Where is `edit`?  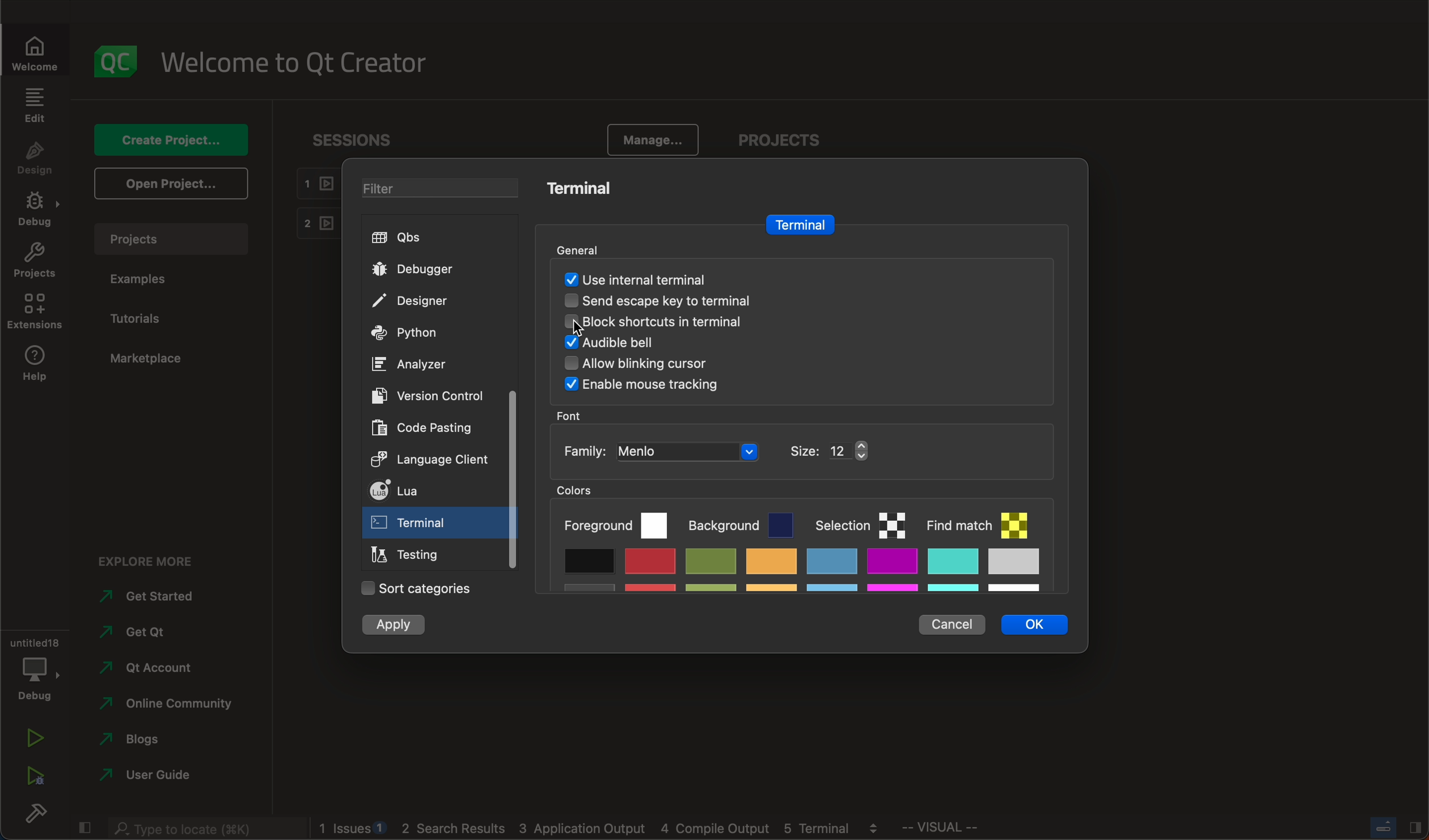
edit is located at coordinates (36, 104).